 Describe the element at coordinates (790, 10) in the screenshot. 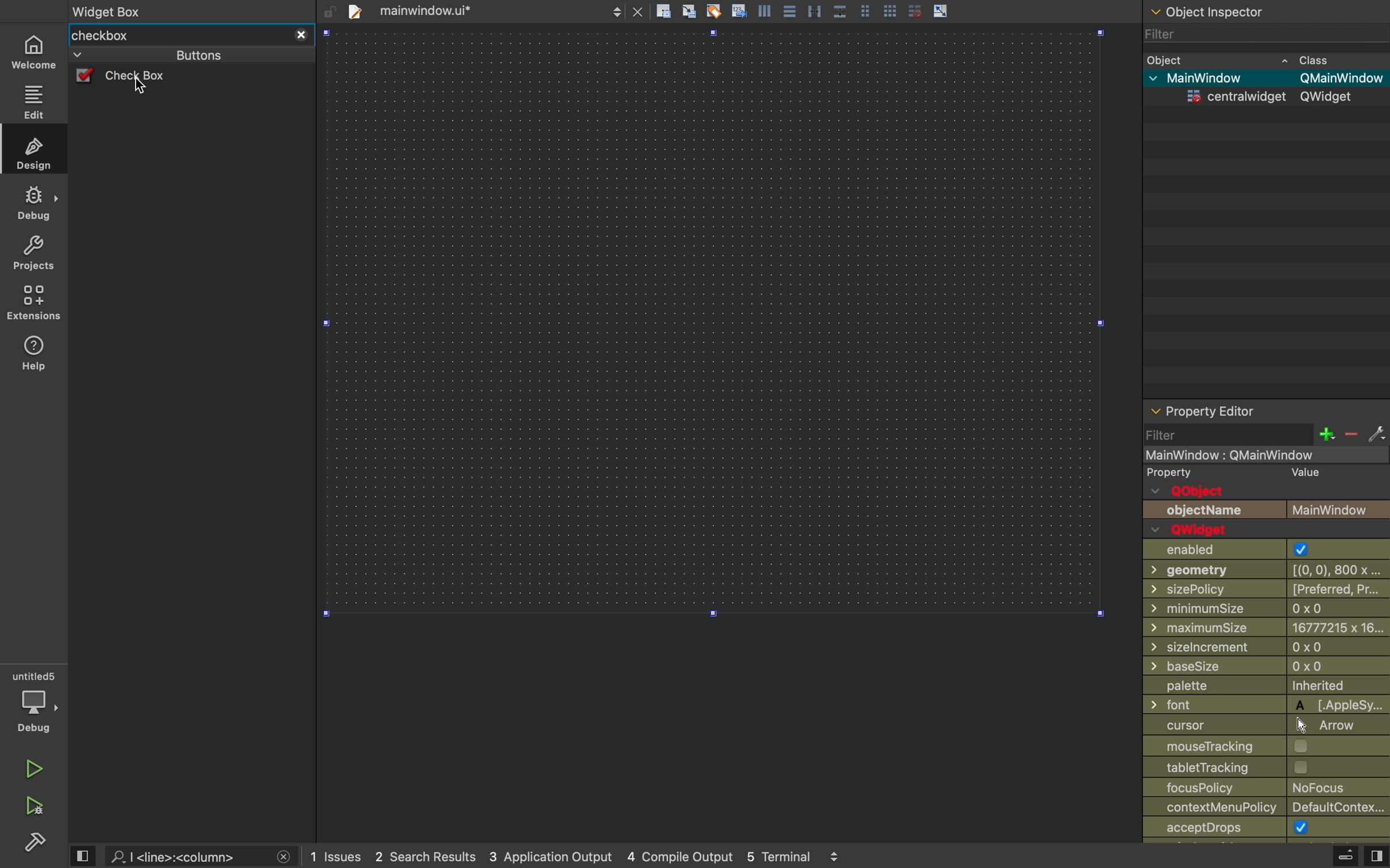

I see `align center` at that location.